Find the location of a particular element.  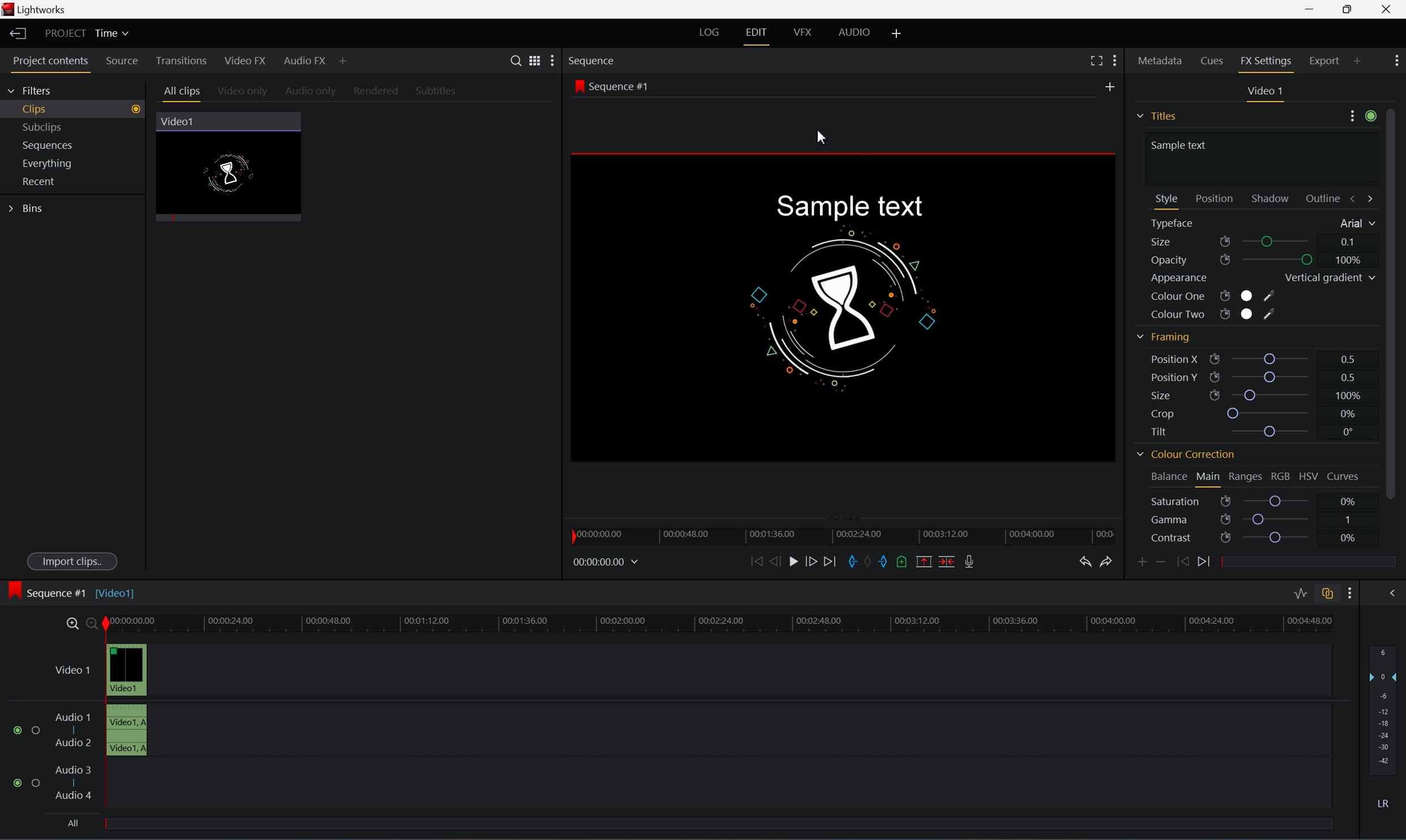

Timeline is located at coordinates (720, 622).